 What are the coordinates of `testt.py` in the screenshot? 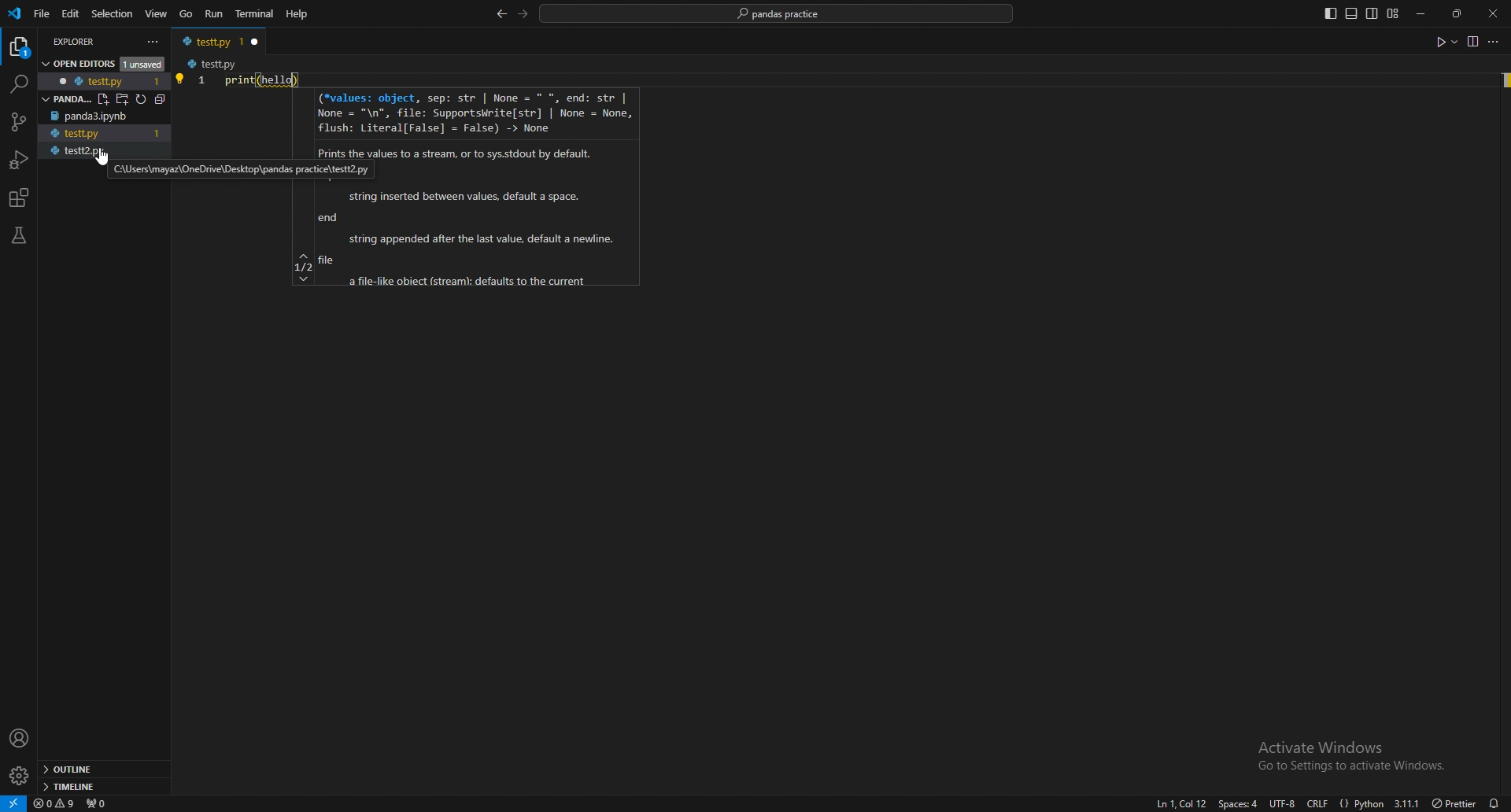 It's located at (208, 41).